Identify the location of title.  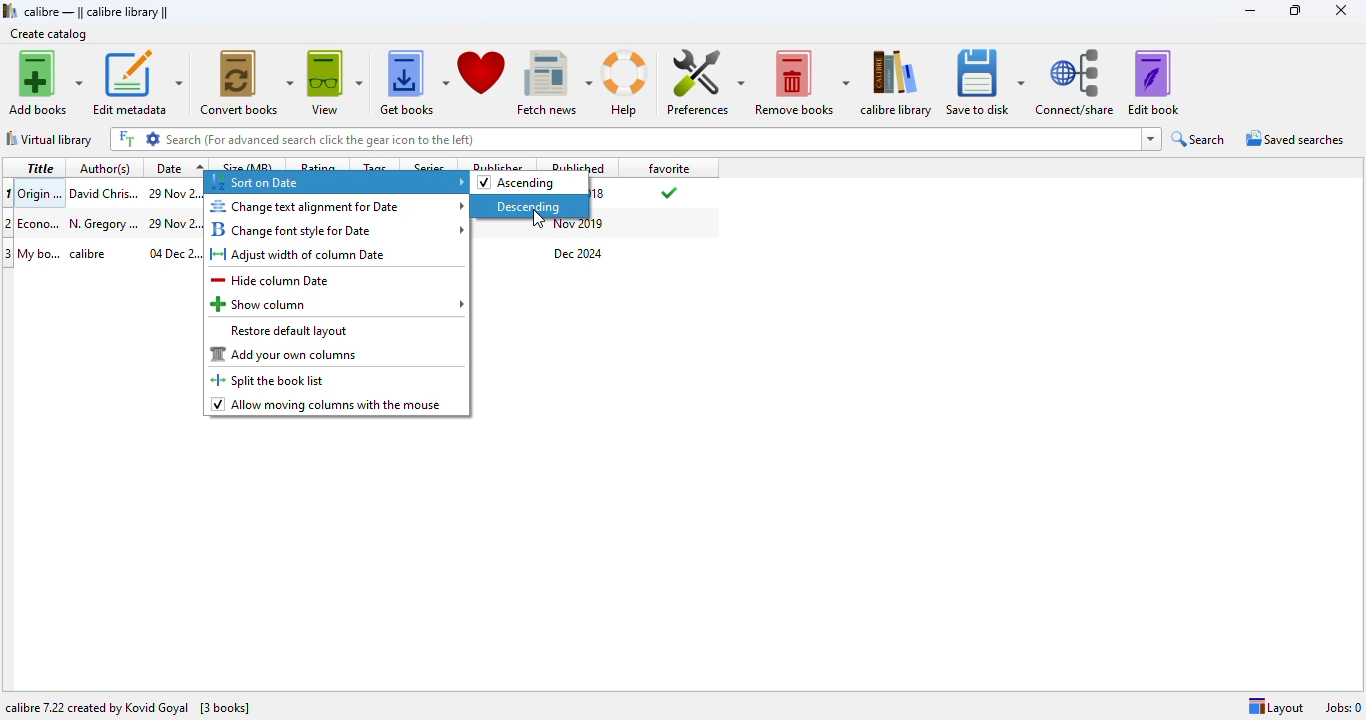
(40, 222).